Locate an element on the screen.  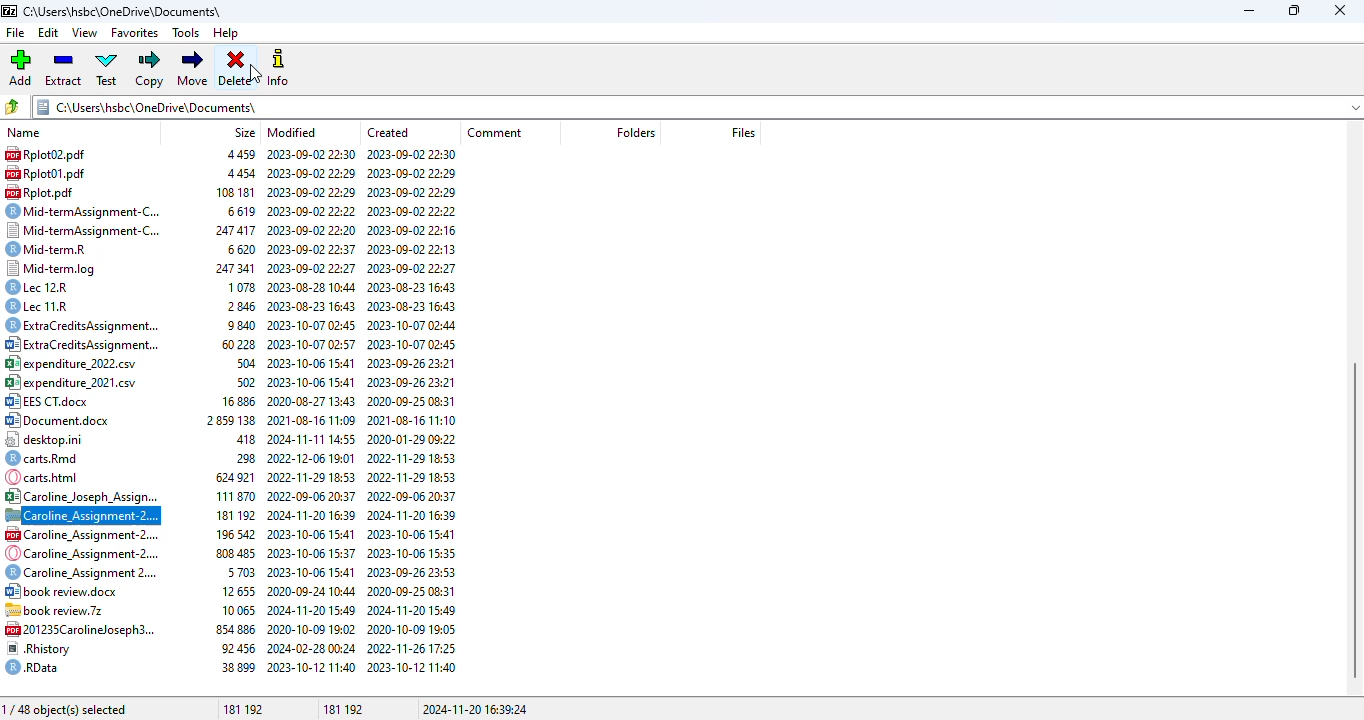
2021-08-16 11:09 is located at coordinates (311, 421).